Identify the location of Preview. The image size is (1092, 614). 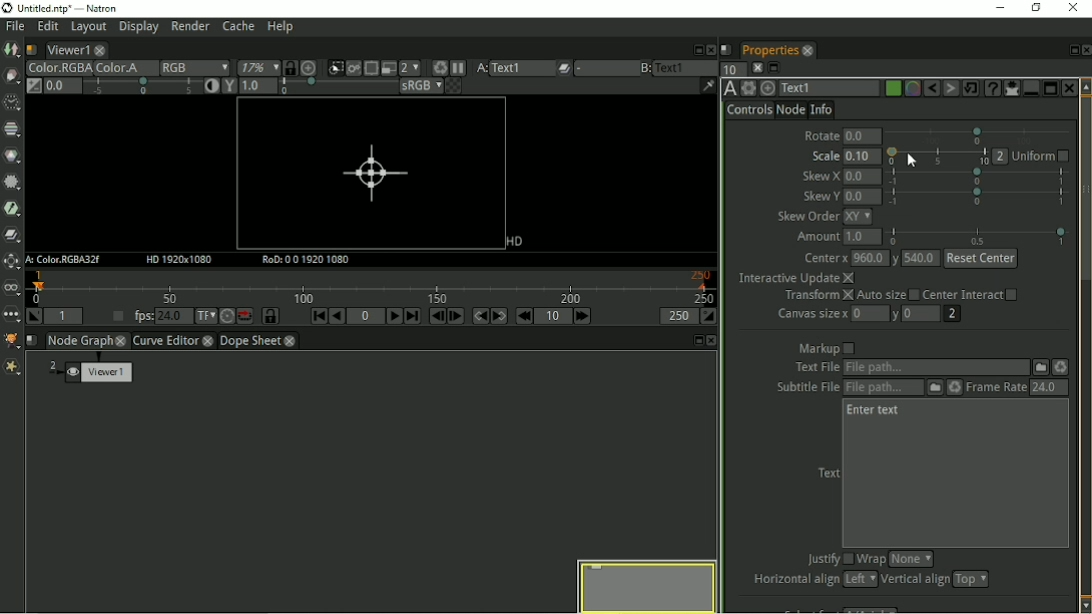
(644, 586).